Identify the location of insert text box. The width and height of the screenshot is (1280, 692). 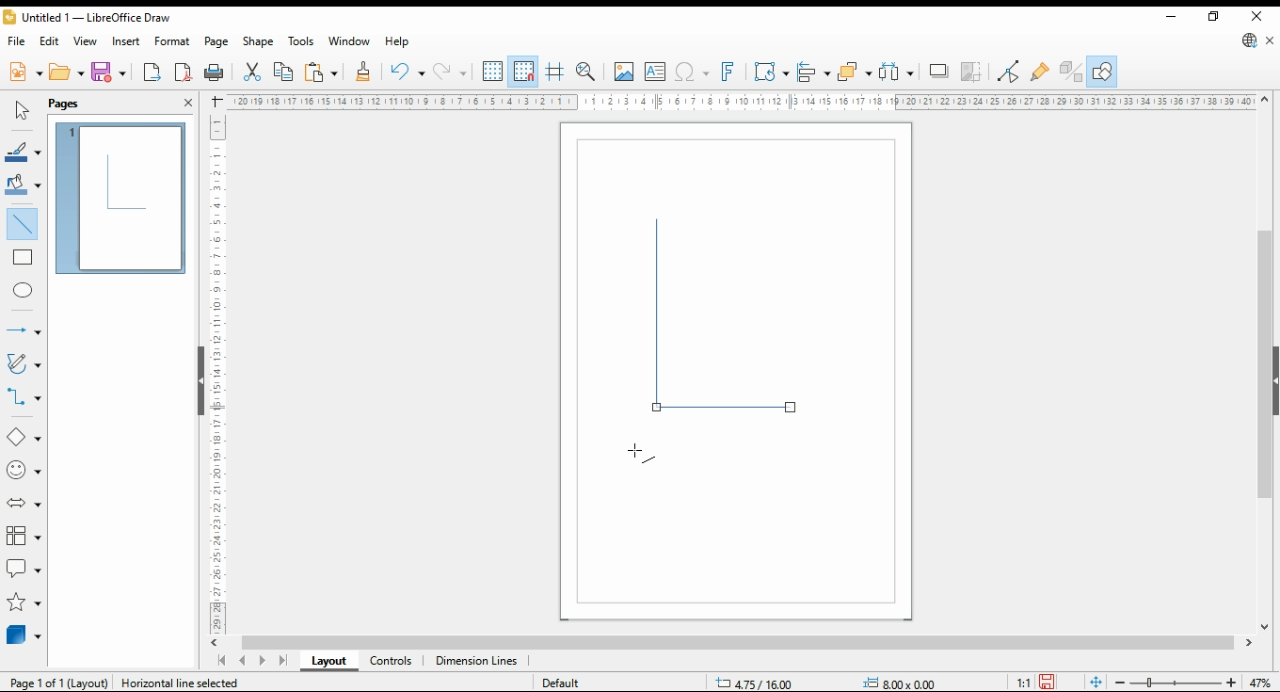
(655, 72).